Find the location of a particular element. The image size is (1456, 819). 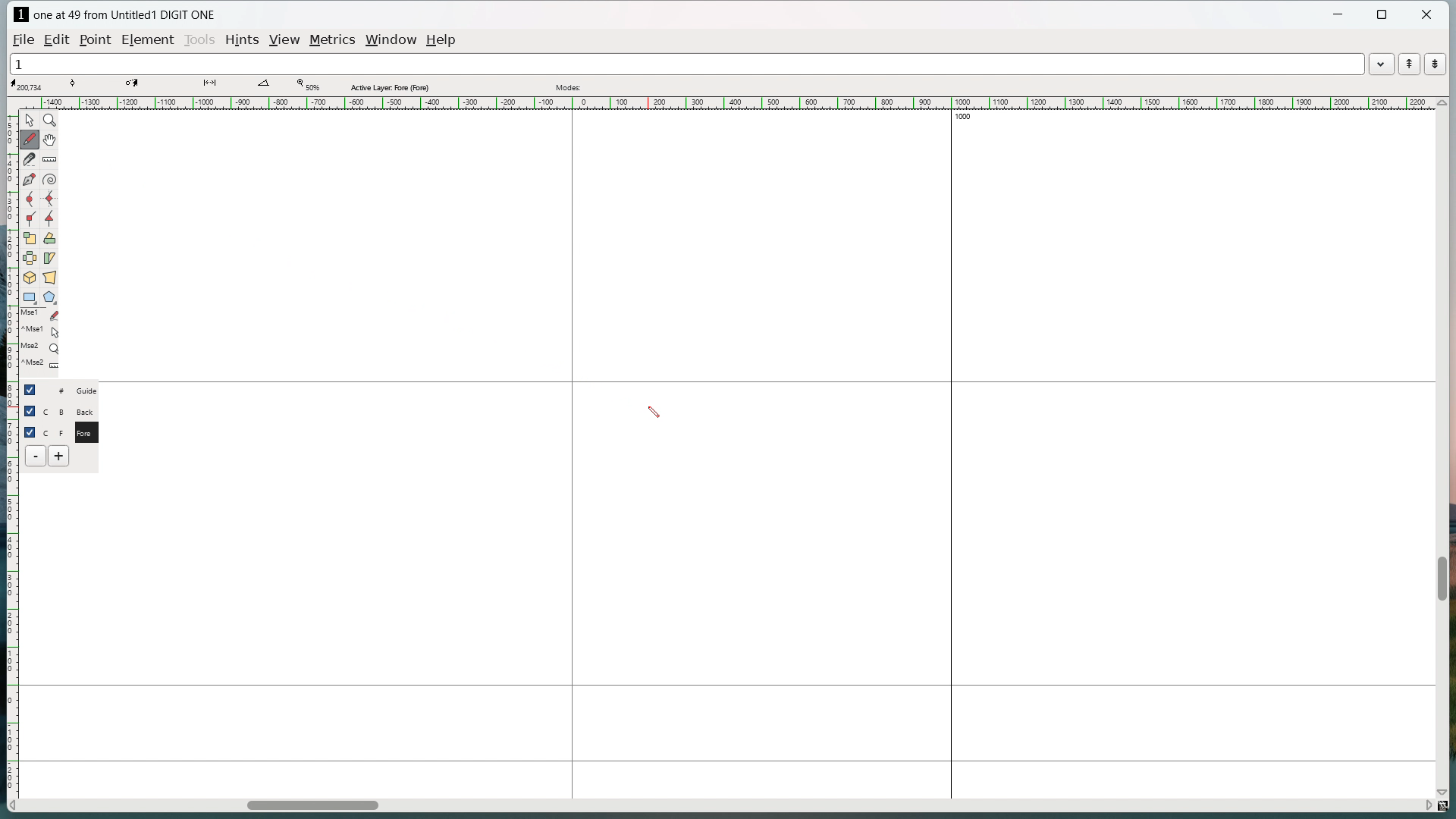

add a corner point is located at coordinates (30, 218).